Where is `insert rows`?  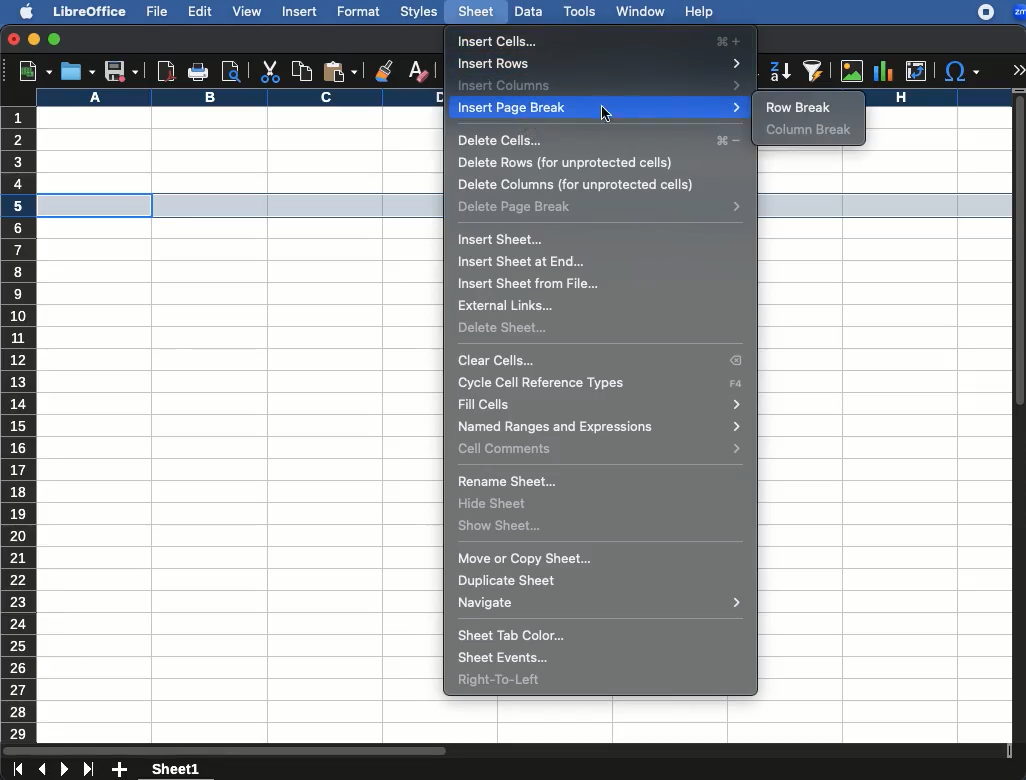
insert rows is located at coordinates (601, 64).